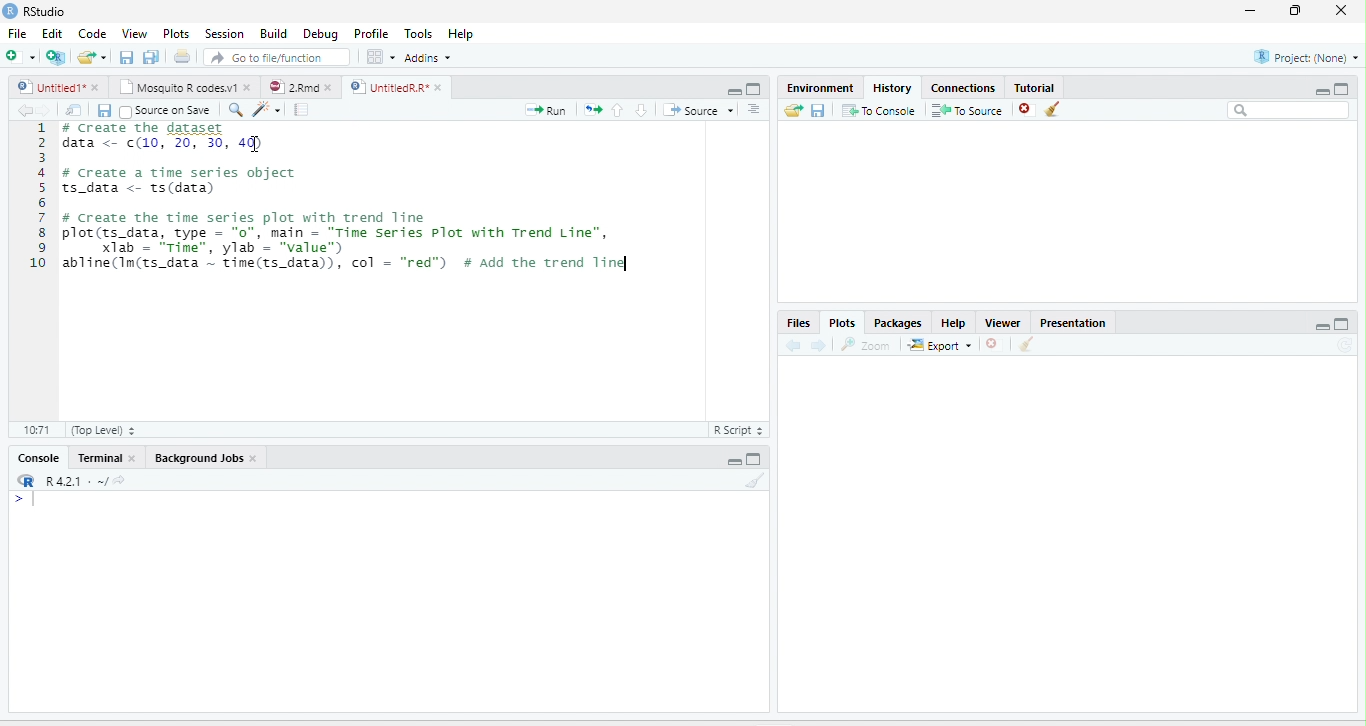  What do you see at coordinates (867, 344) in the screenshot?
I see `Zoom` at bounding box center [867, 344].